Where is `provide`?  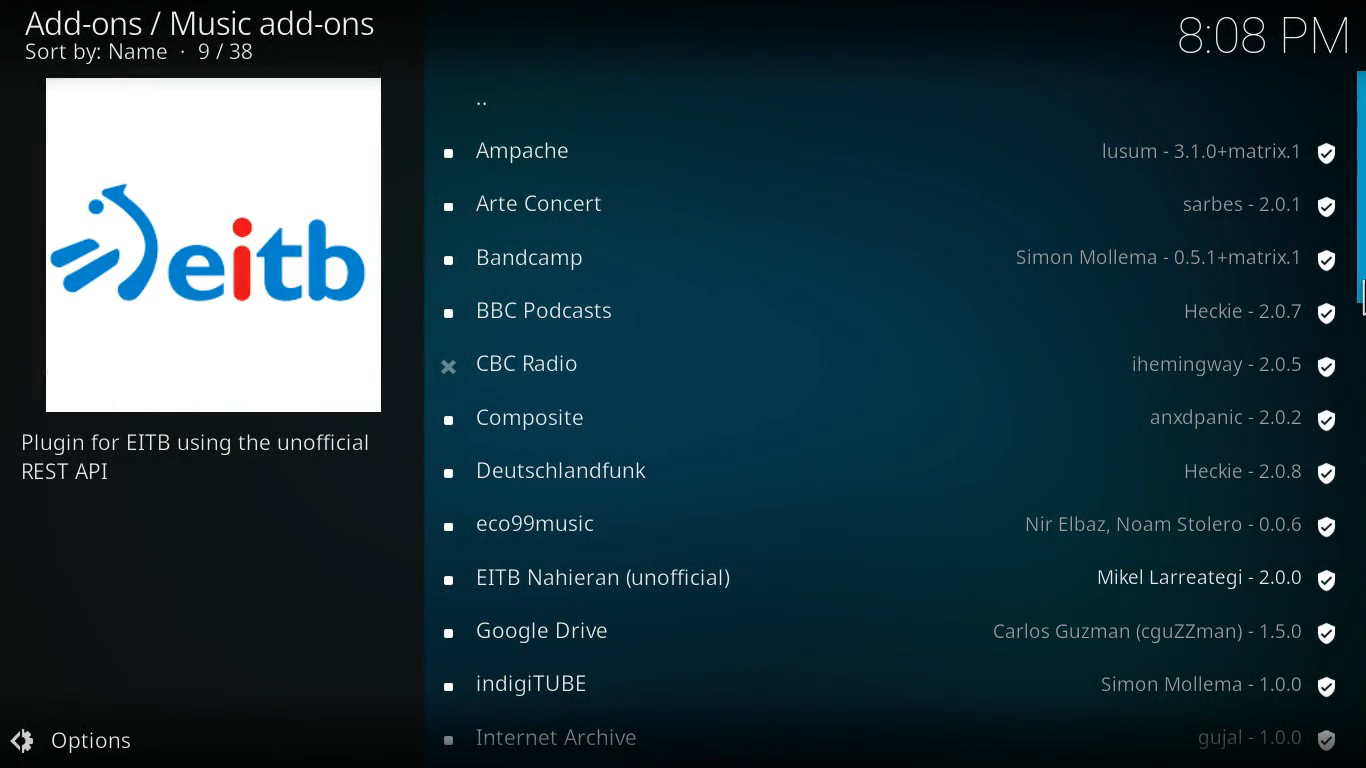 provide is located at coordinates (1234, 363).